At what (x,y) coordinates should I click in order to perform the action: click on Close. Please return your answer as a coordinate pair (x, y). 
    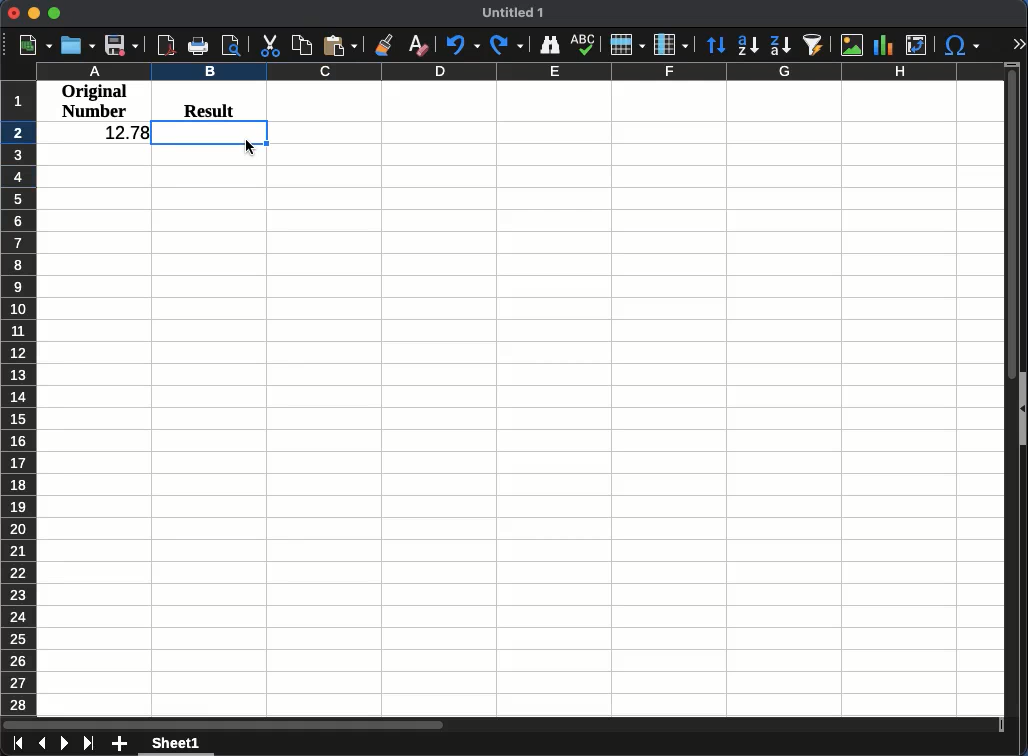
    Looking at the image, I should click on (14, 13).